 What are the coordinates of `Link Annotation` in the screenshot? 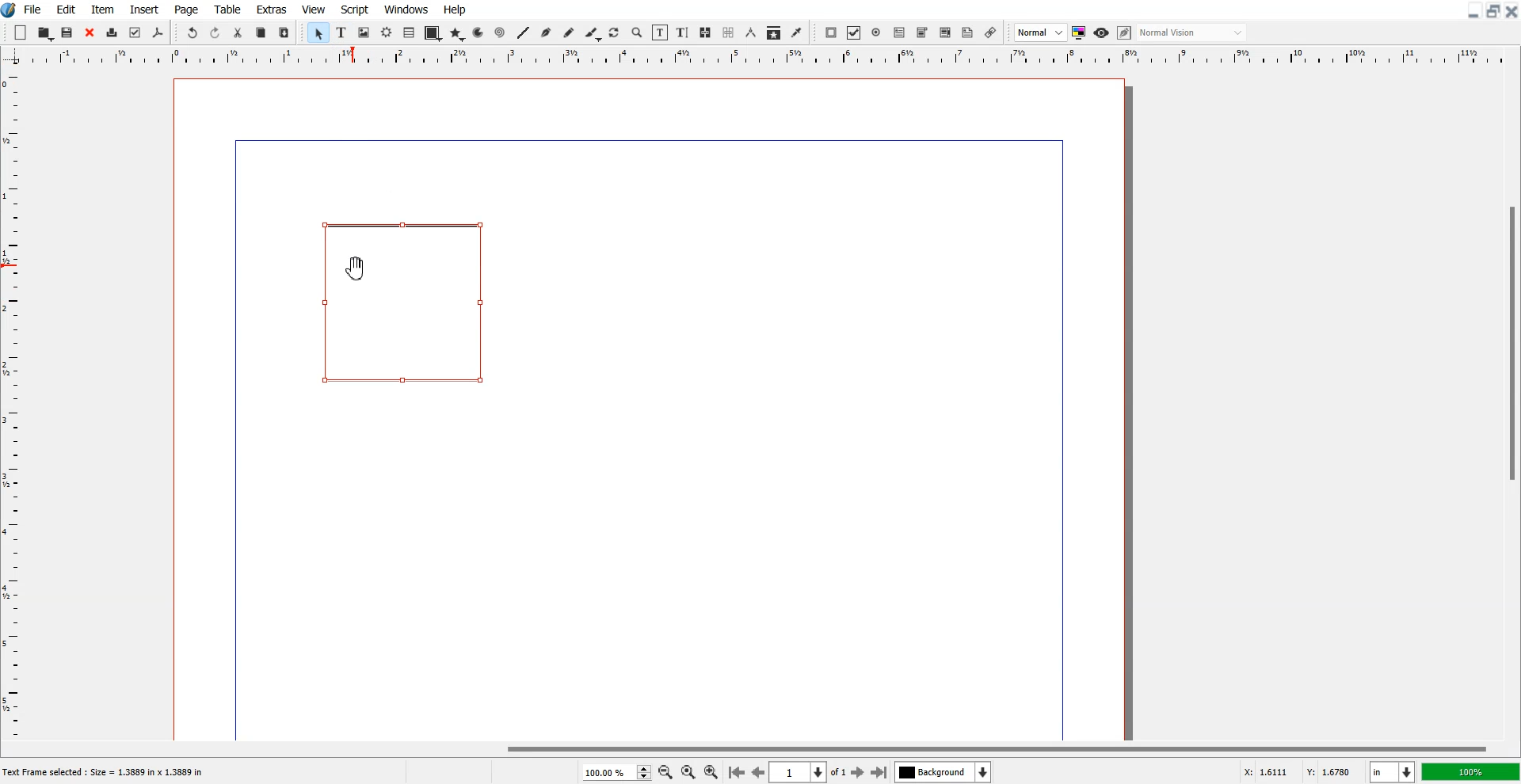 It's located at (990, 32).